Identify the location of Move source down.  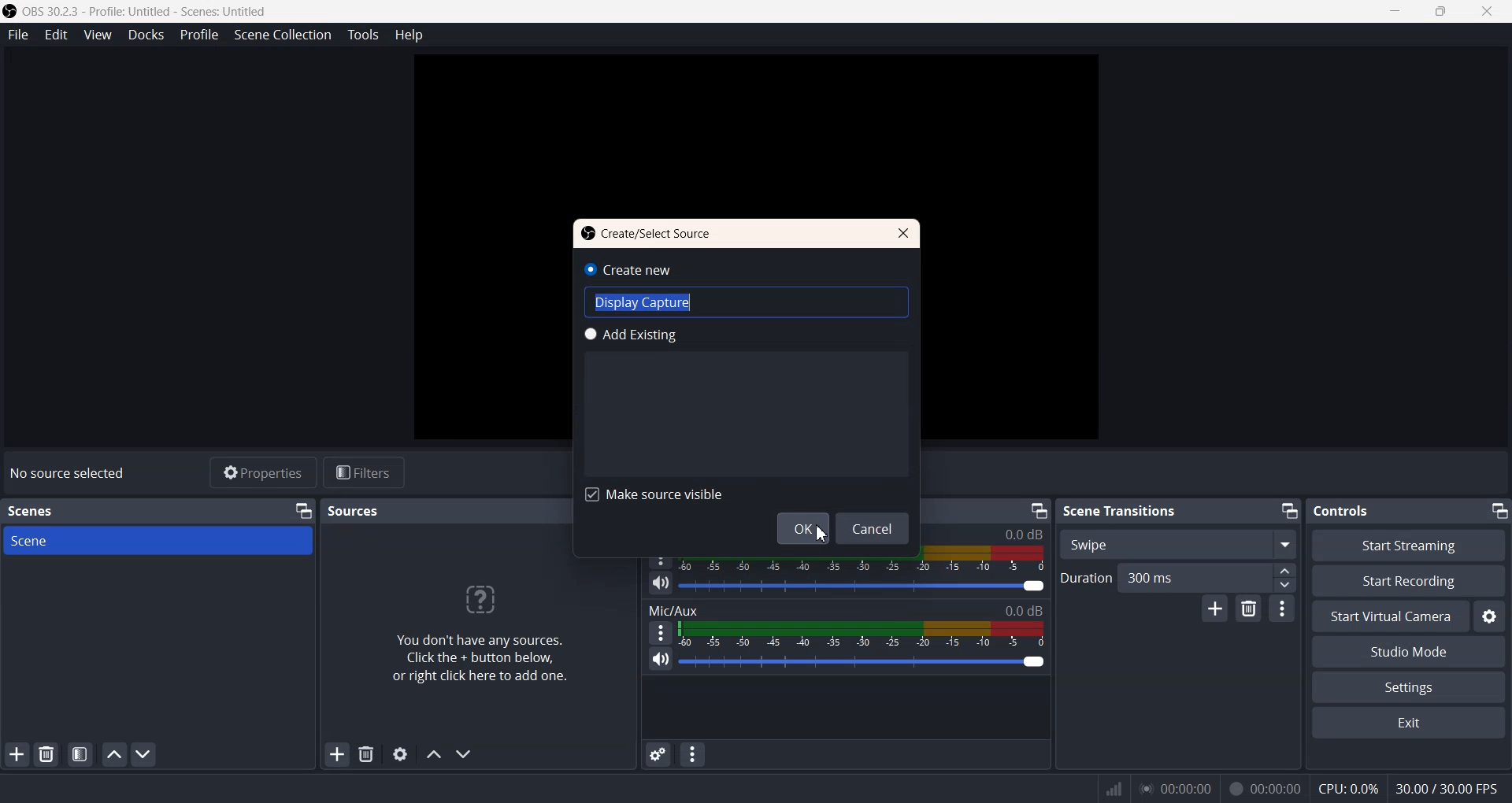
(462, 754).